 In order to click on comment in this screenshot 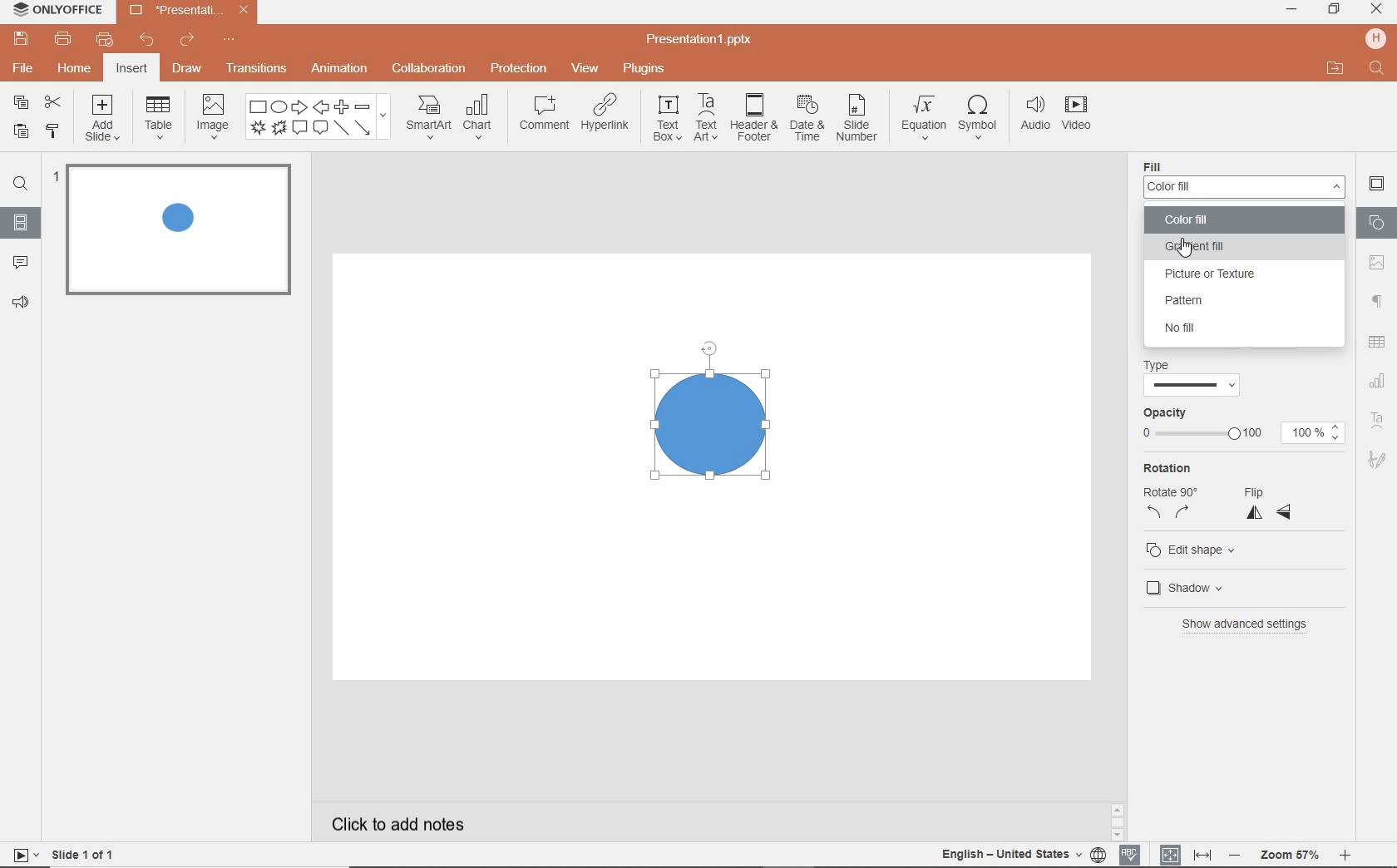, I will do `click(544, 112)`.